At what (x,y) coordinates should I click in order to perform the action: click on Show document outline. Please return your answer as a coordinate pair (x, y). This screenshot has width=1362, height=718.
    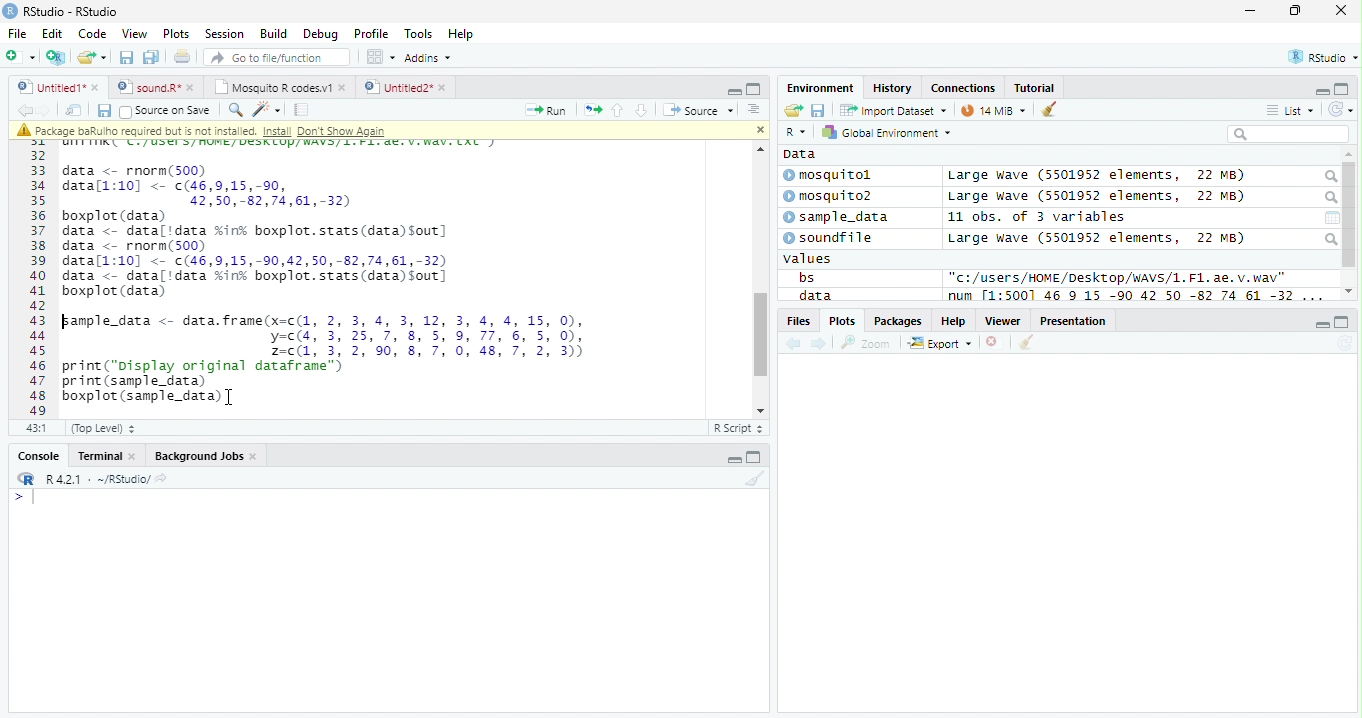
    Looking at the image, I should click on (753, 109).